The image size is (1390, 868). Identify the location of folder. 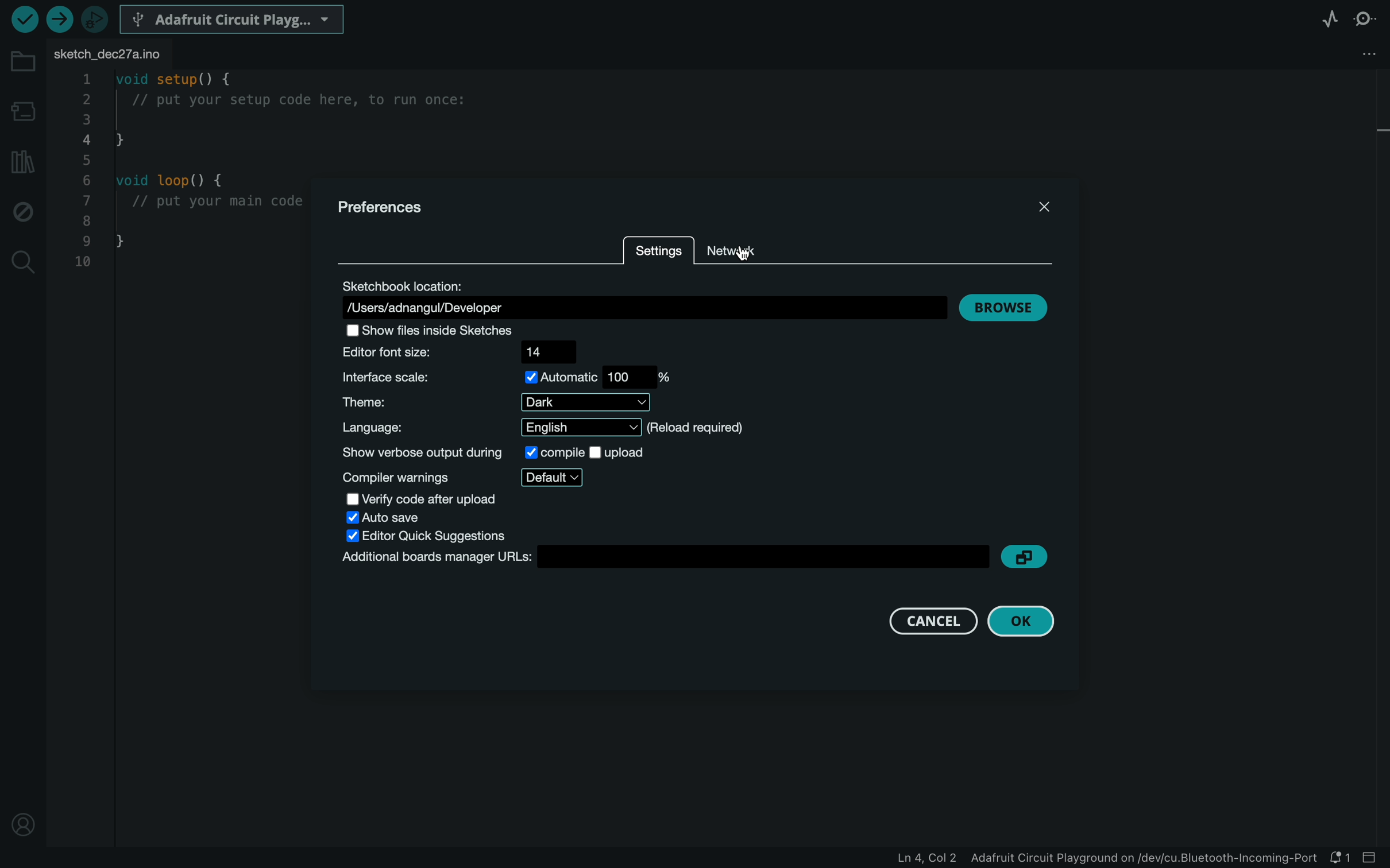
(23, 62).